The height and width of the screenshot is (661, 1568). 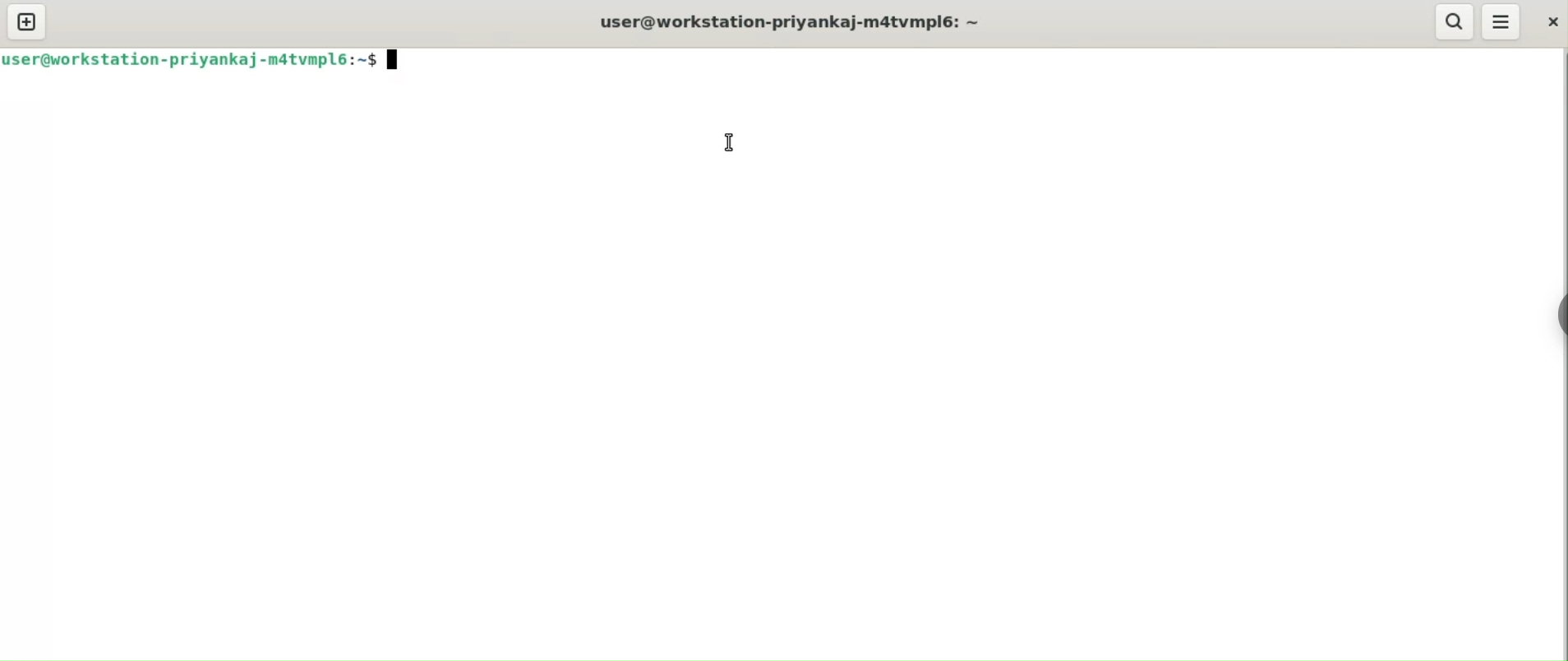 I want to click on user@workstation-priyankaj-m4tvmlp6:~$, so click(x=191, y=61).